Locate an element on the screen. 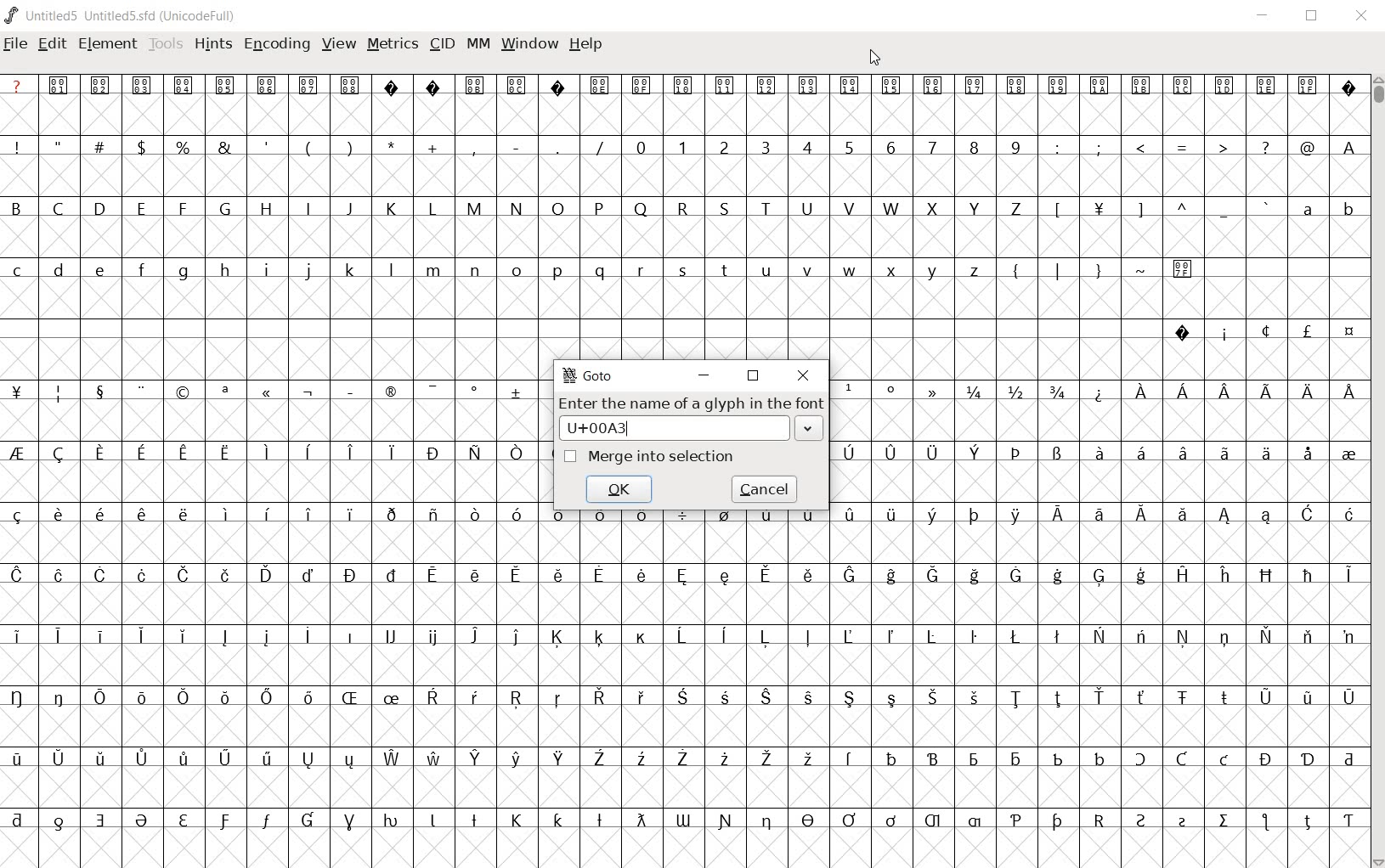 The image size is (1385, 868). Symbol is located at coordinates (807, 821).